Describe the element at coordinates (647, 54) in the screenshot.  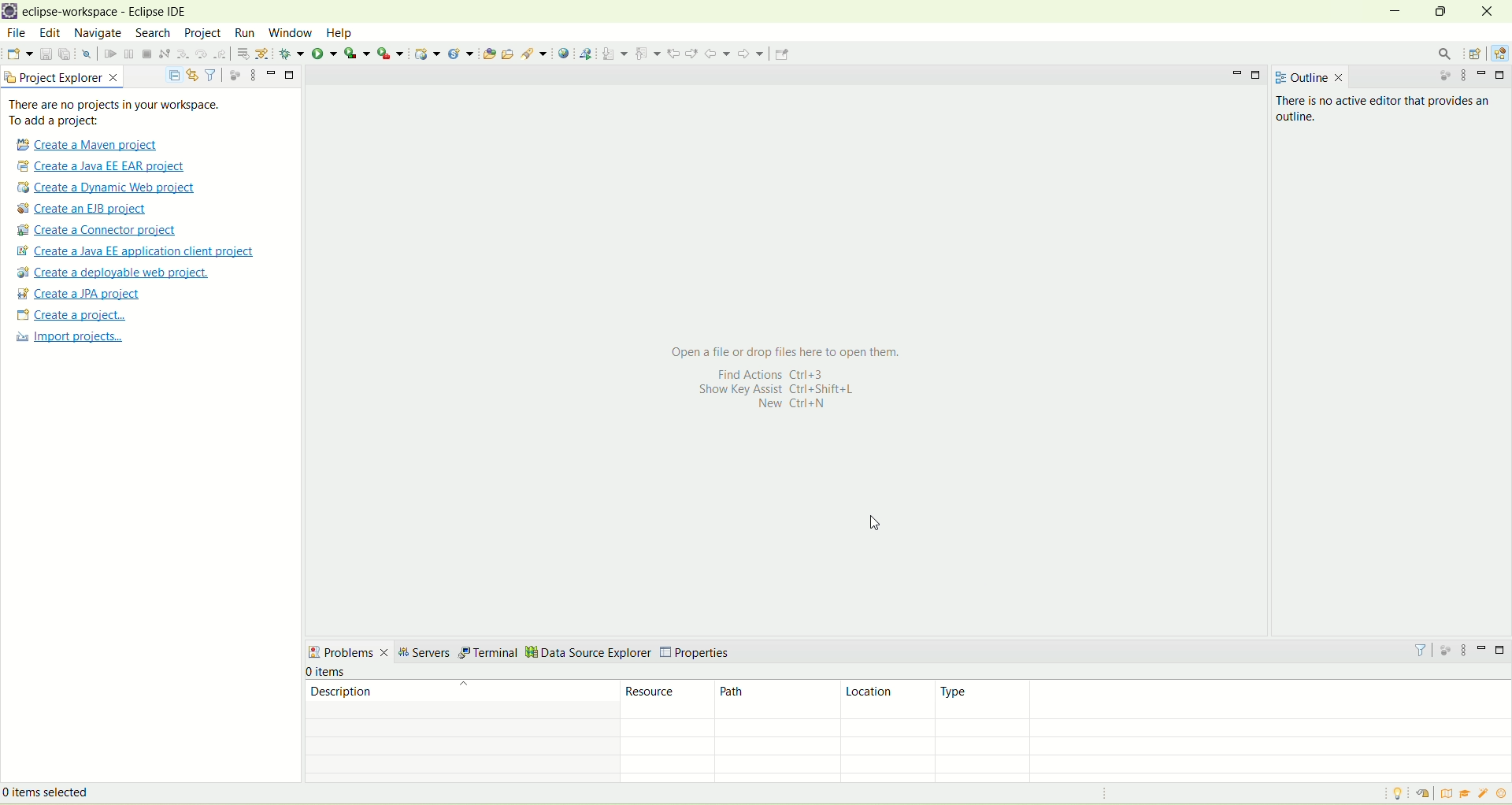
I see `launch web service explorer` at that location.